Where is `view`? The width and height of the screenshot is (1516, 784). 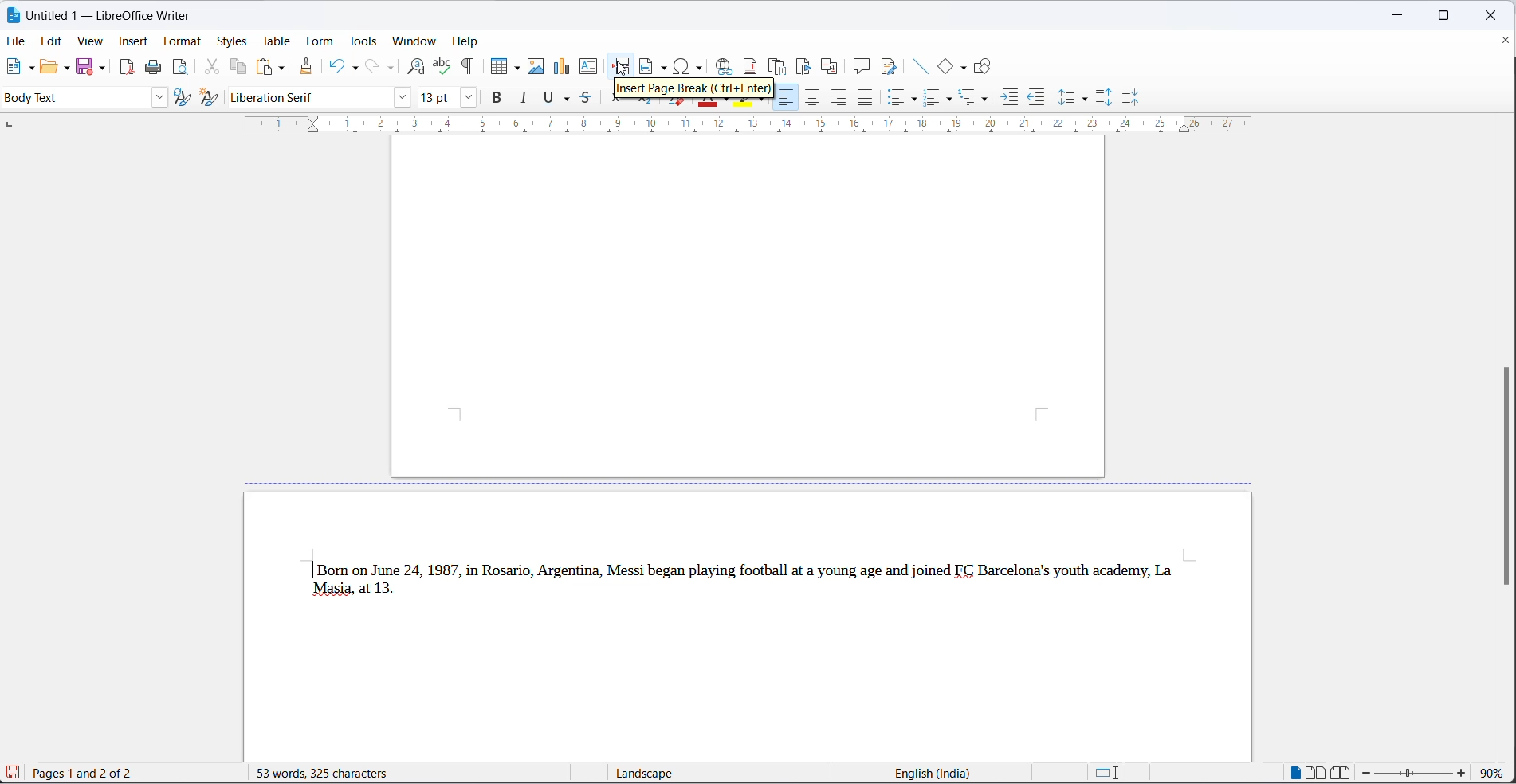
view is located at coordinates (89, 40).